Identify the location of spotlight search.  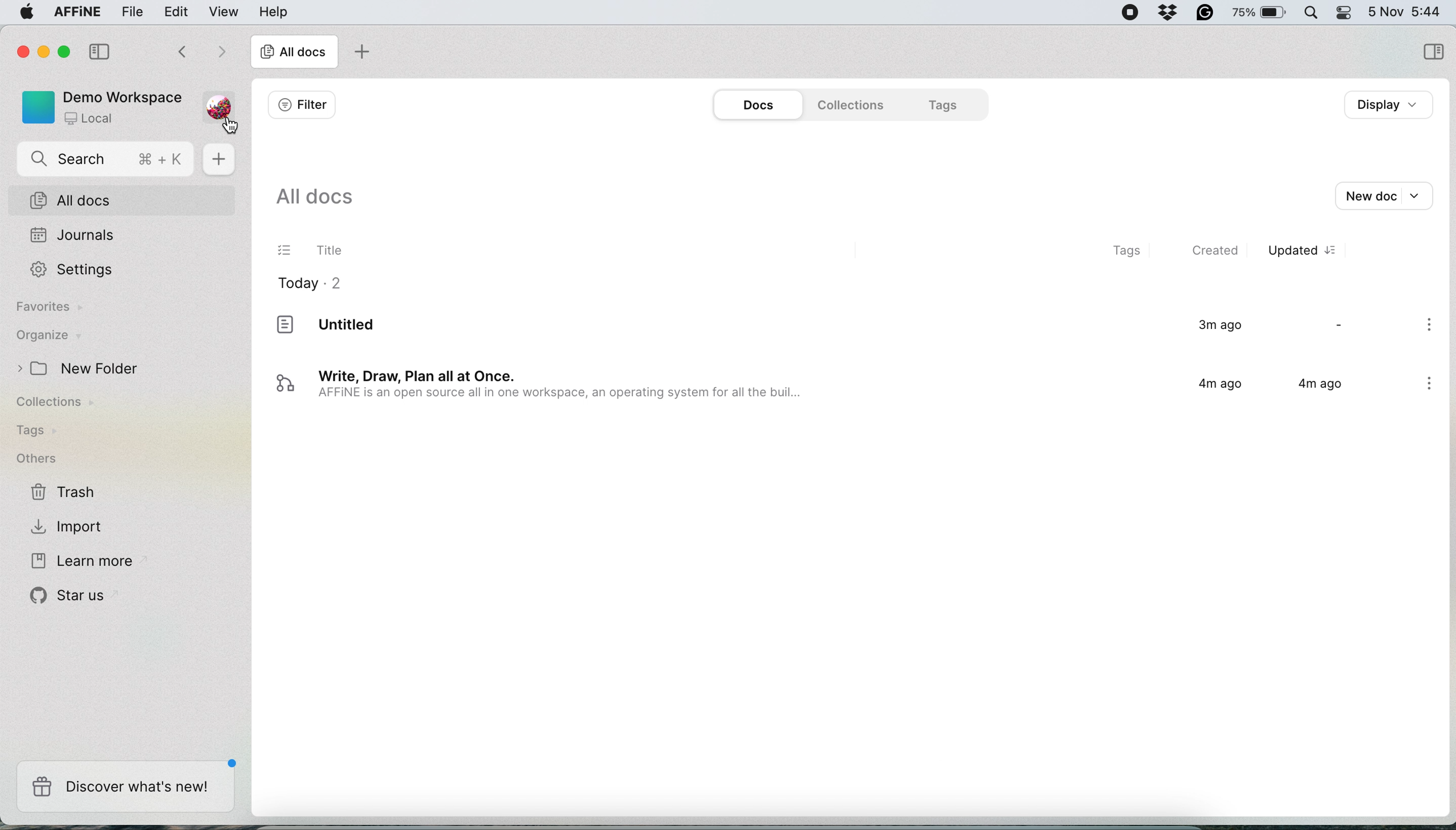
(1309, 12).